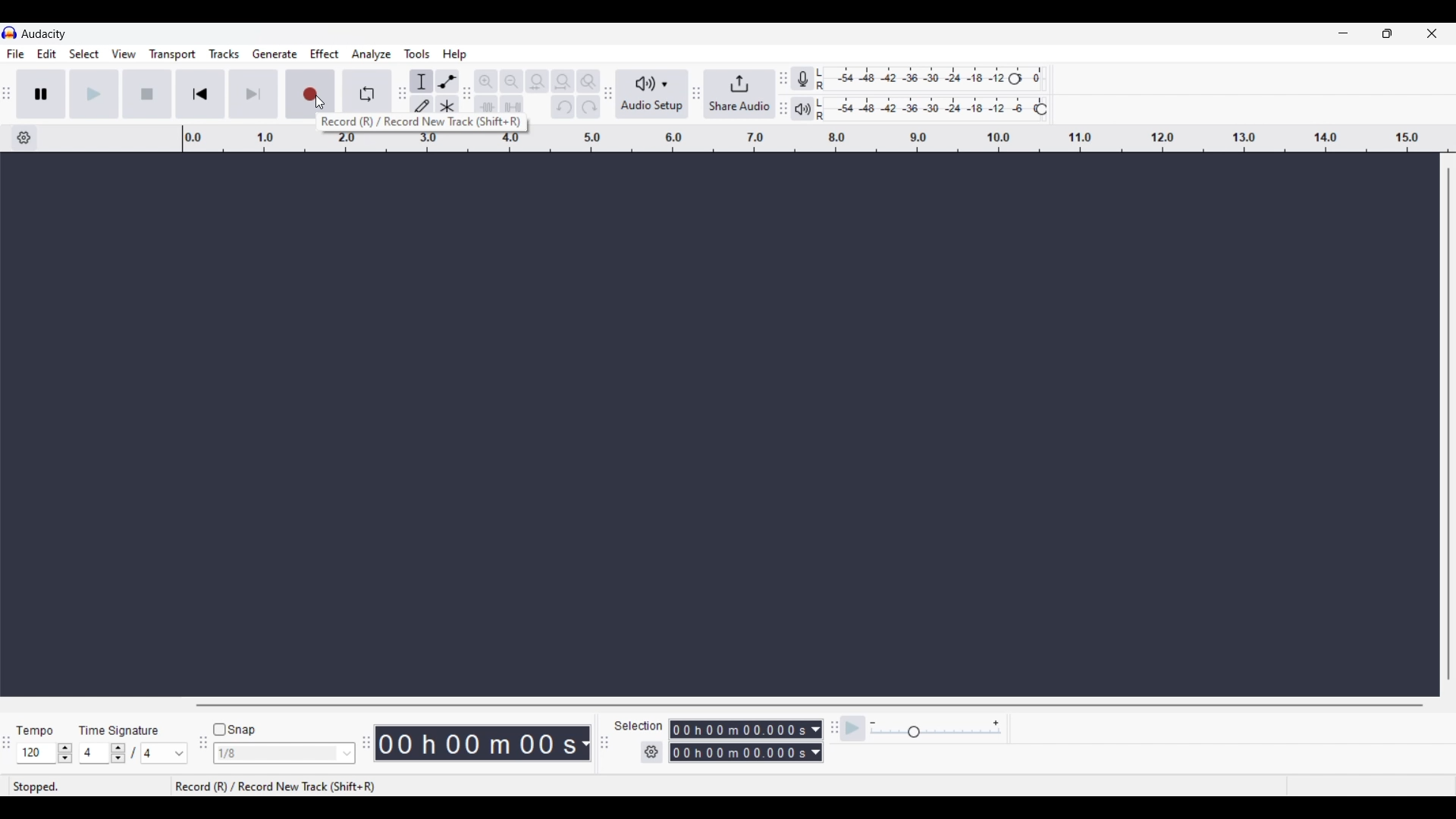  Describe the element at coordinates (173, 54) in the screenshot. I see `Transport menu` at that location.